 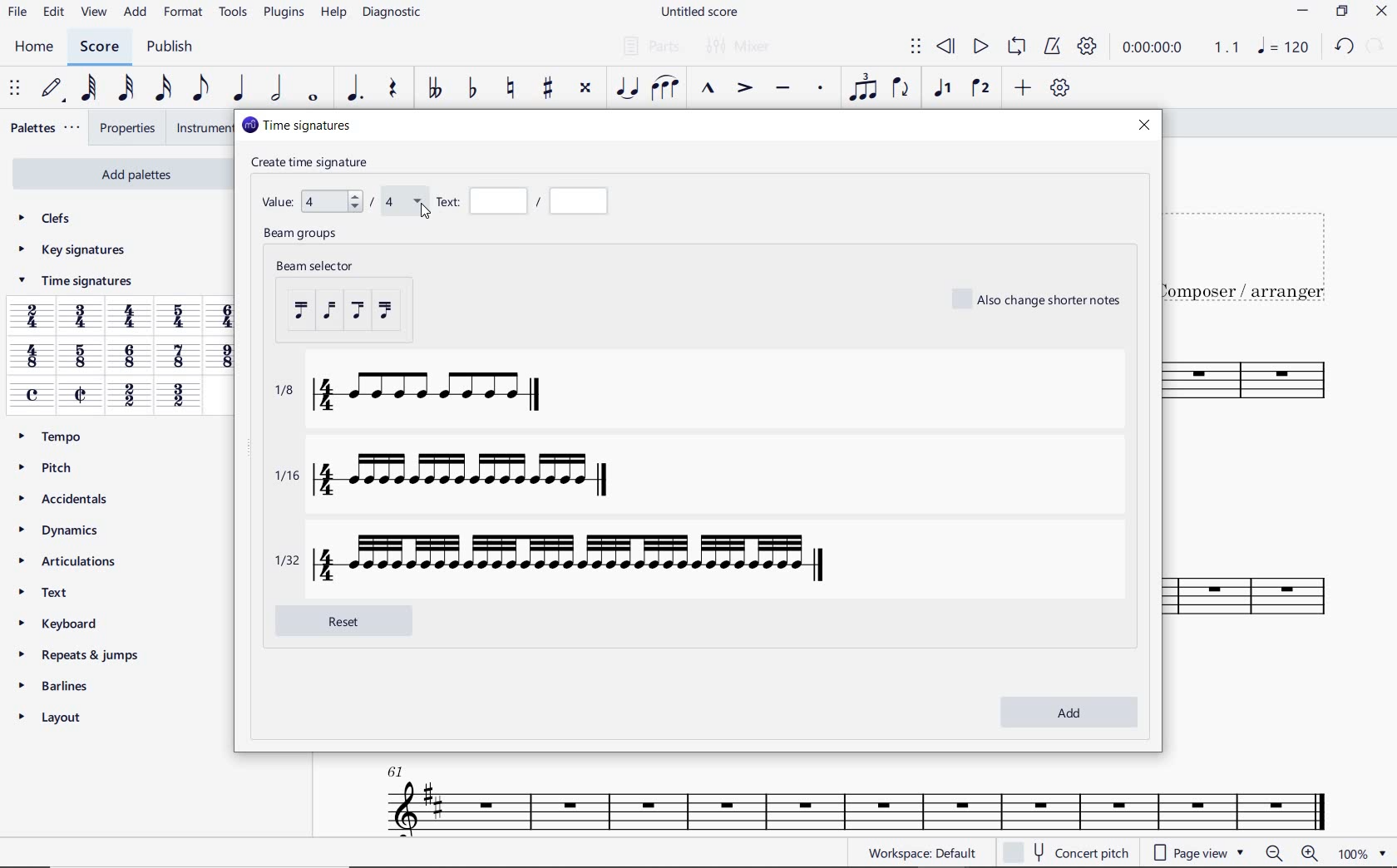 I want to click on NOTE, so click(x=1282, y=46).